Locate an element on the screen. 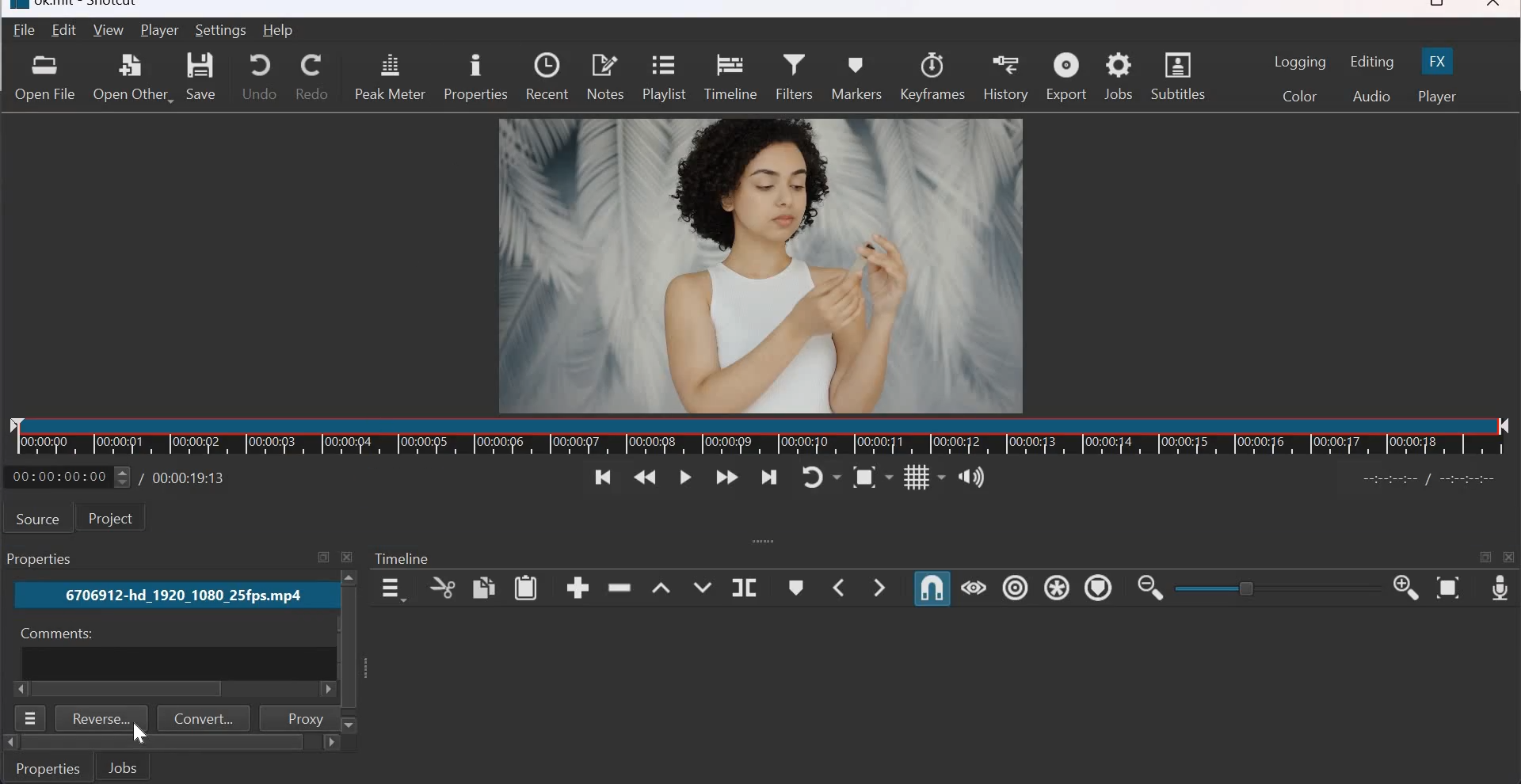 The width and height of the screenshot is (1521, 784). FX is located at coordinates (1439, 59).